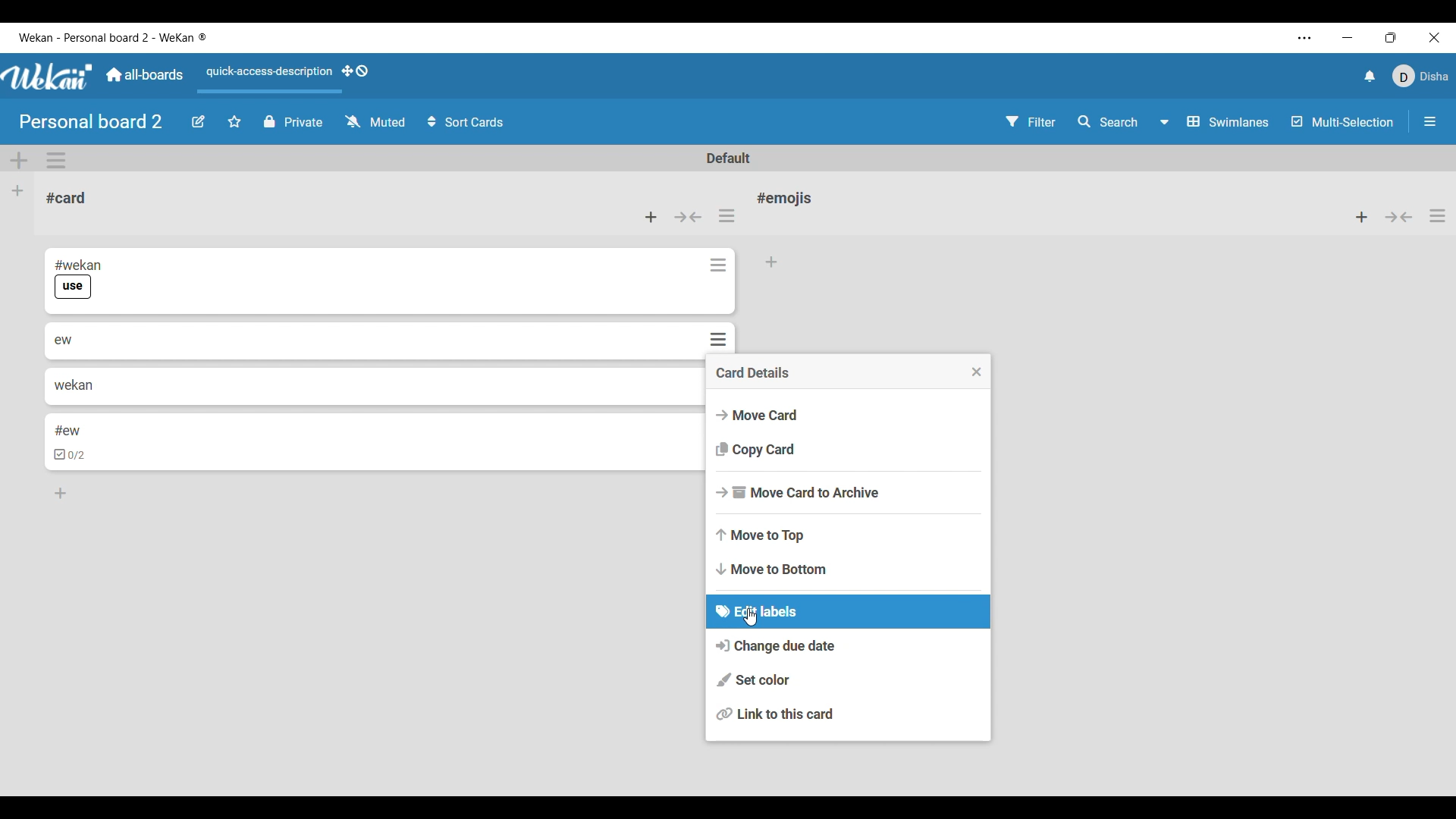 The height and width of the screenshot is (819, 1456). I want to click on Software logo, so click(48, 77).